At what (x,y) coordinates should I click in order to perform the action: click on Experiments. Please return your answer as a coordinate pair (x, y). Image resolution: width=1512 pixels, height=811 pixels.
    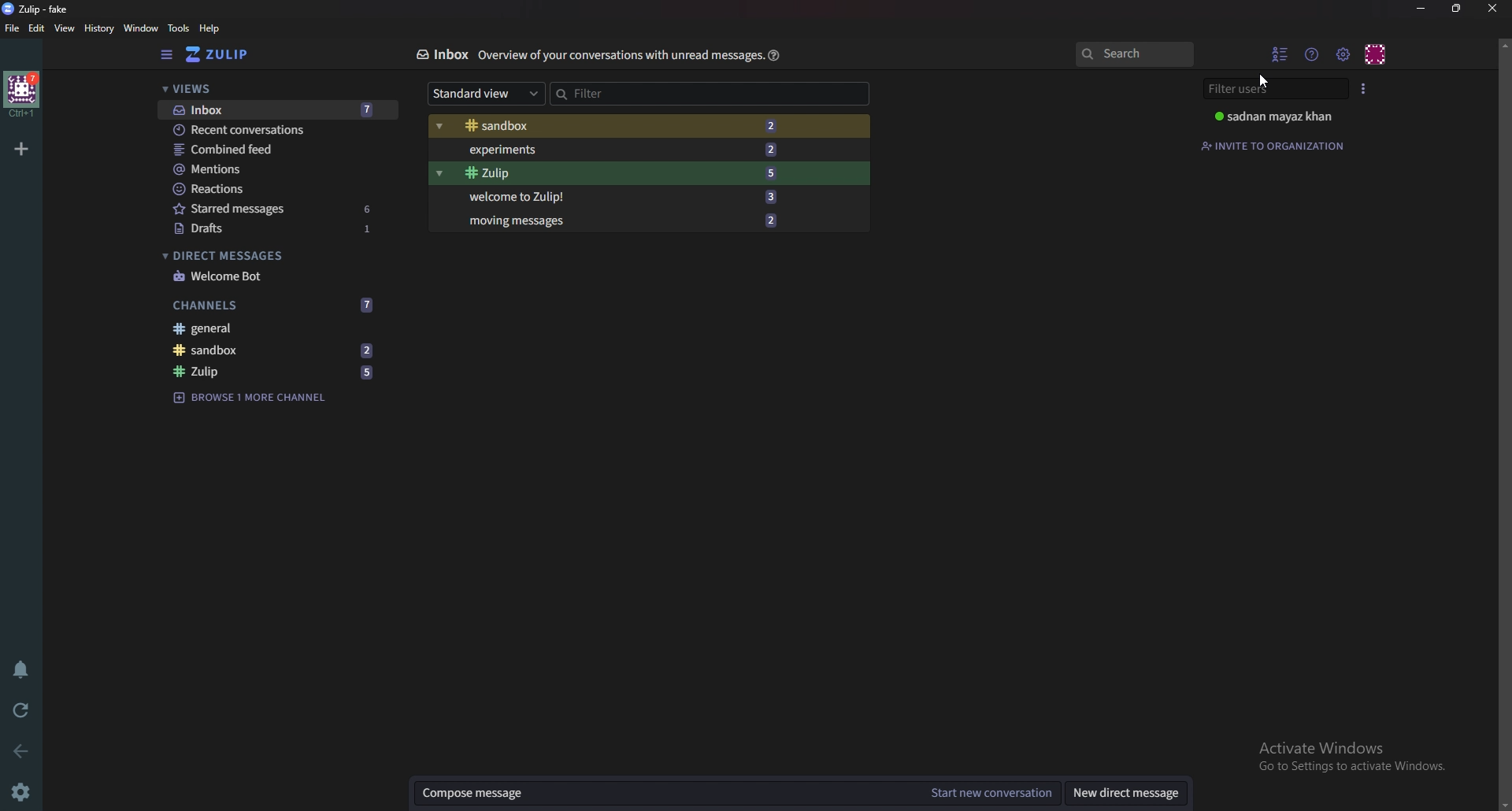
    Looking at the image, I should click on (629, 149).